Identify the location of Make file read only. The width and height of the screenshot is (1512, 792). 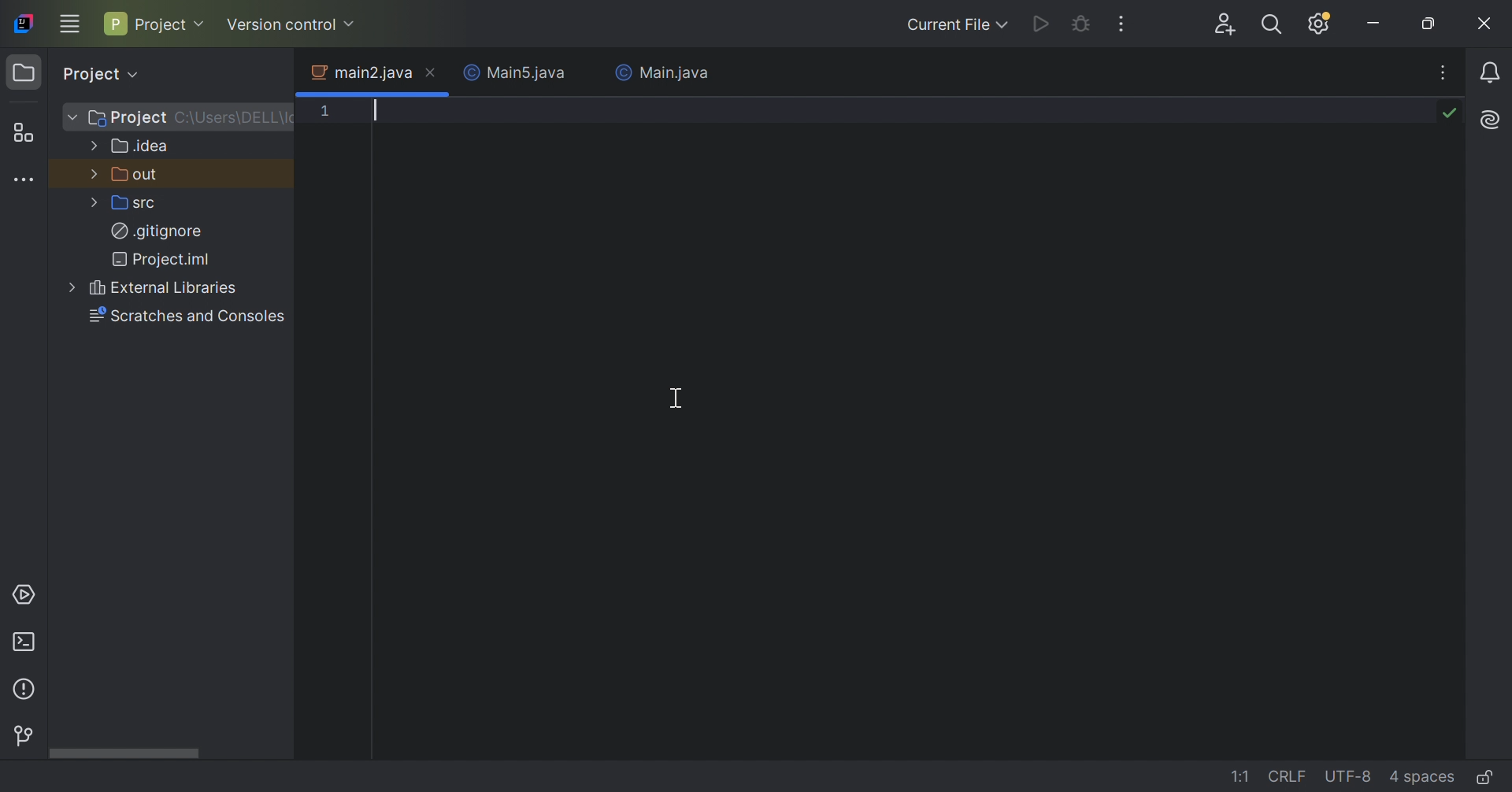
(1486, 777).